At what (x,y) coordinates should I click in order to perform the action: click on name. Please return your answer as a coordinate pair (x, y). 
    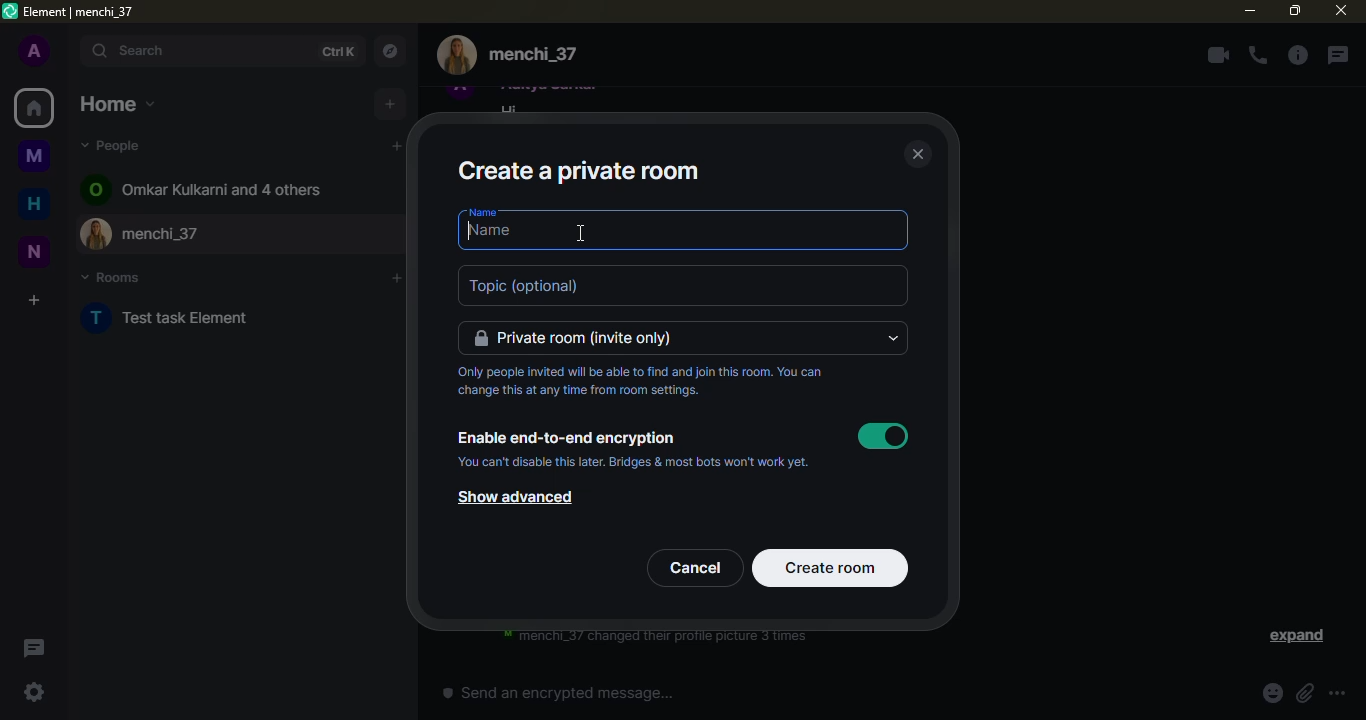
    Looking at the image, I should click on (483, 212).